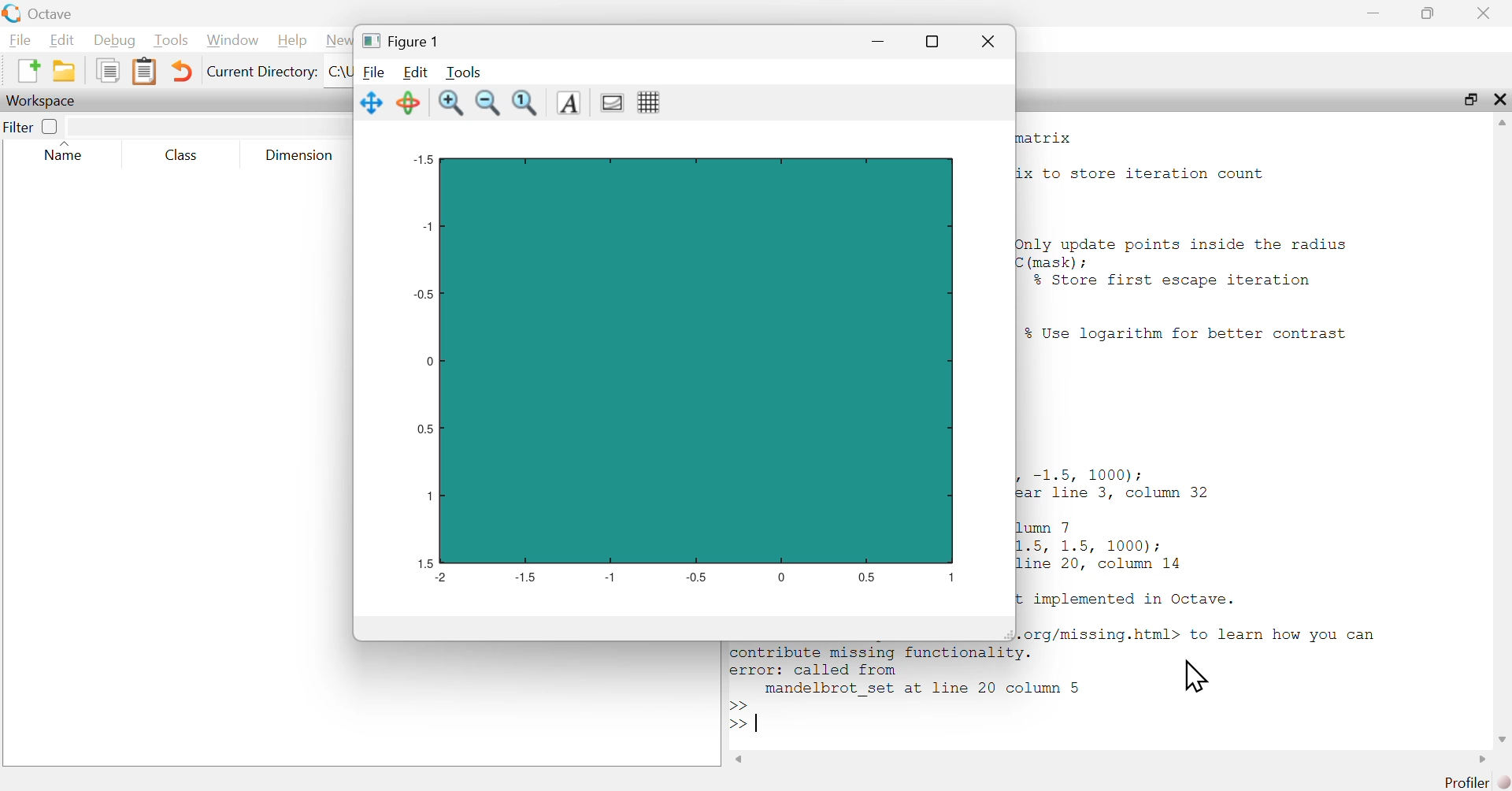  Describe the element at coordinates (1502, 124) in the screenshot. I see `Scrollbar up` at that location.